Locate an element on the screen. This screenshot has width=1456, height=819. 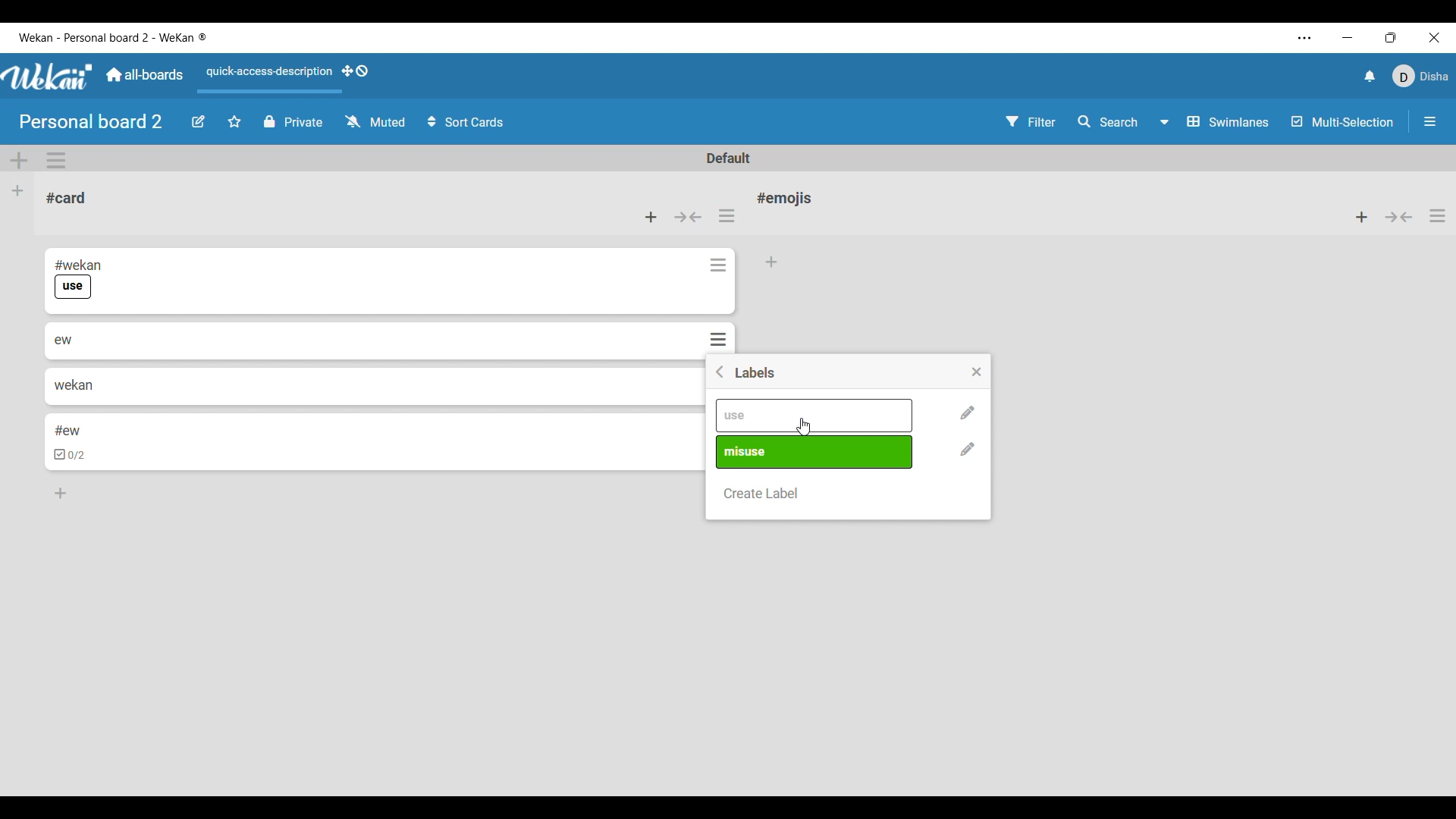
Add swimlane is located at coordinates (19, 161).